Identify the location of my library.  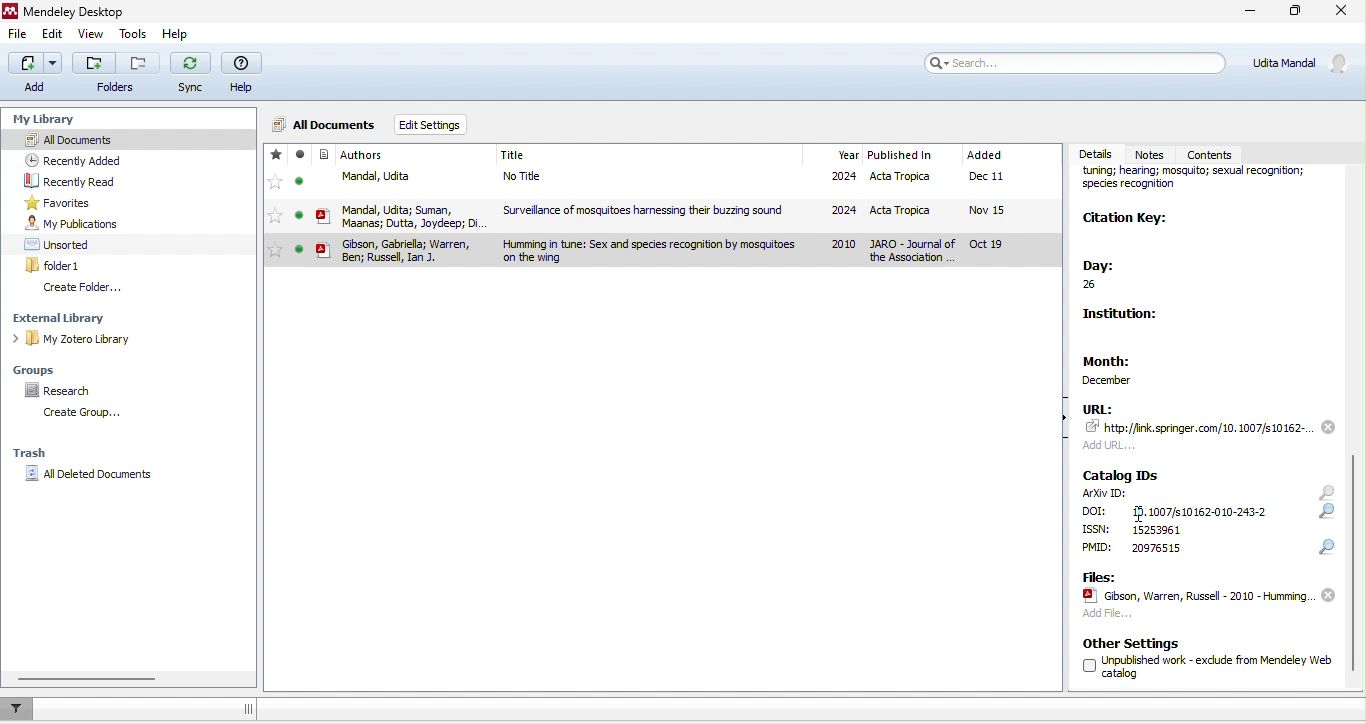
(47, 116).